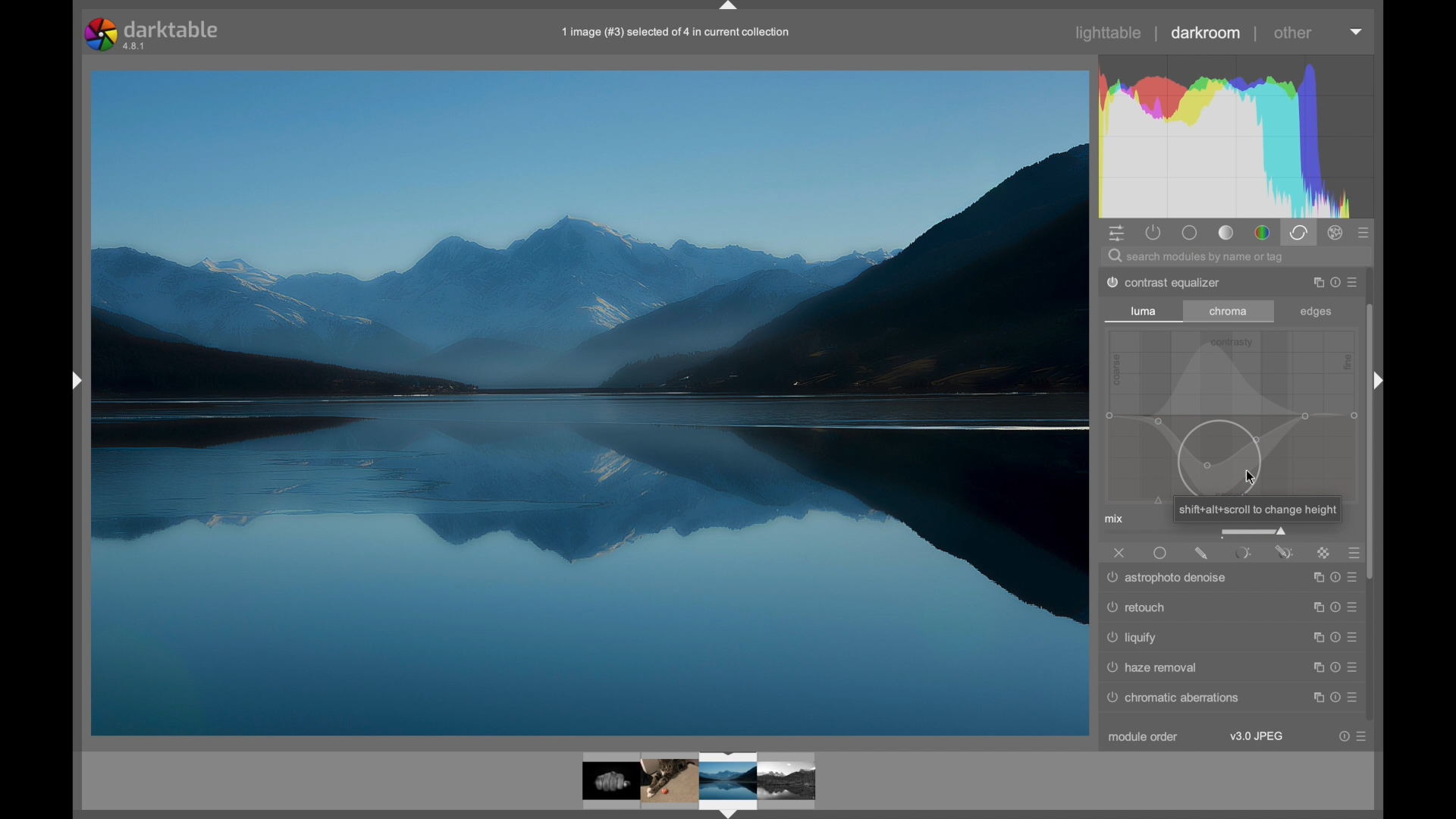 This screenshot has height=819, width=1456. What do you see at coordinates (1150, 667) in the screenshot?
I see `raw denoise` at bounding box center [1150, 667].